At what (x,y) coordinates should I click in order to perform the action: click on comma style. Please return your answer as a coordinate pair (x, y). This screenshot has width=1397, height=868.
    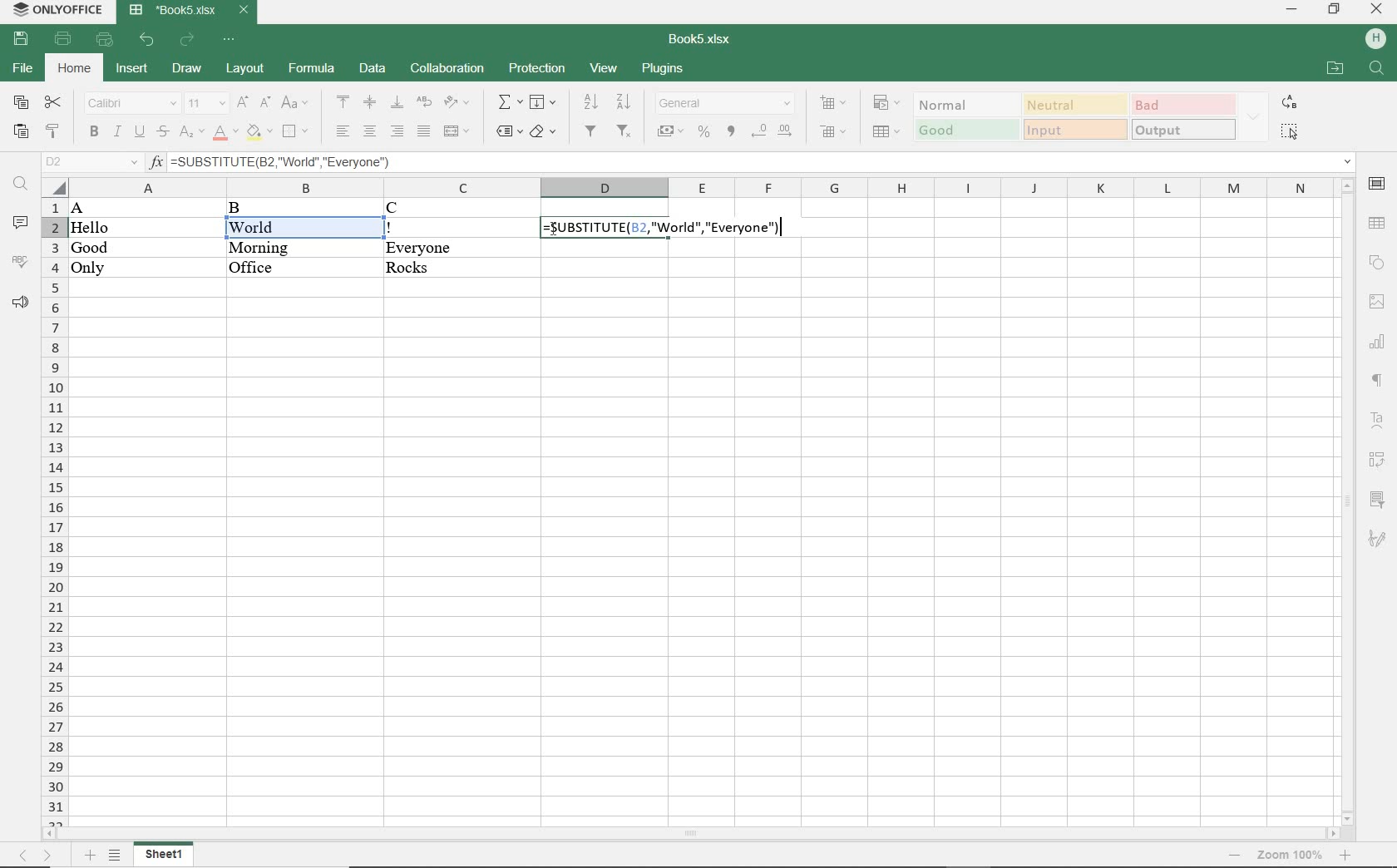
    Looking at the image, I should click on (731, 133).